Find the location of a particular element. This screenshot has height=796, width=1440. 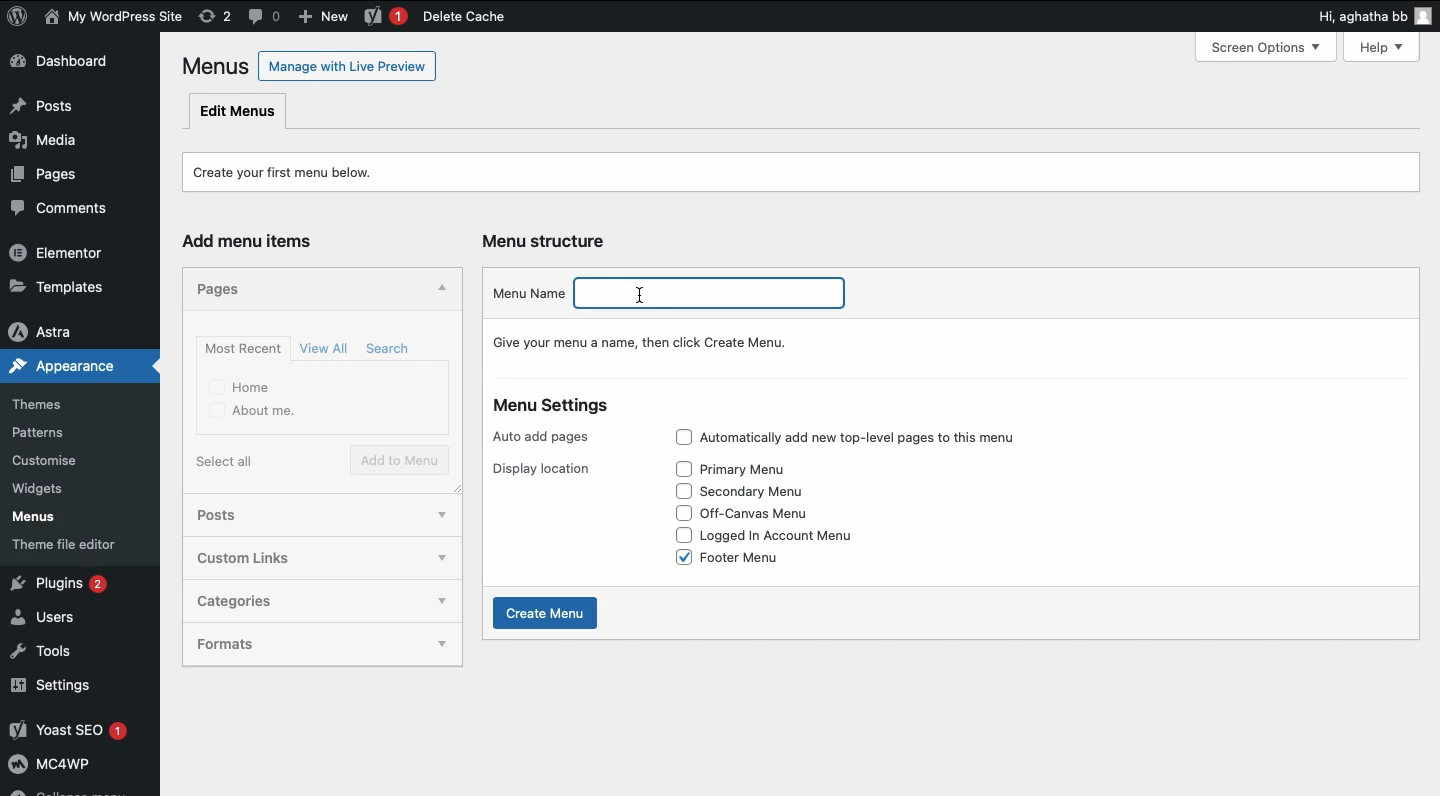

Revision is located at coordinates (215, 17).